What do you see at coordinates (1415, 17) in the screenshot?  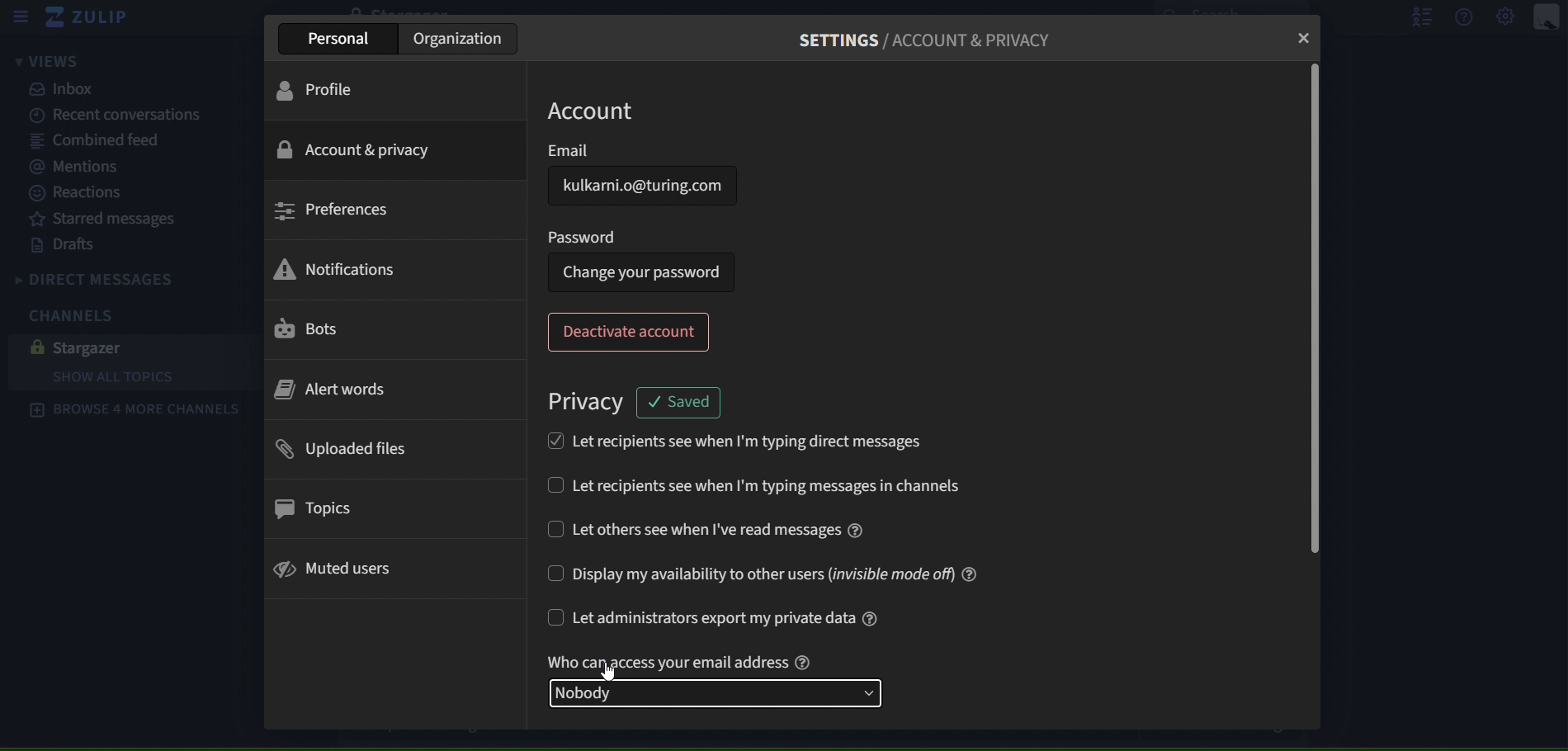 I see `hide user list` at bounding box center [1415, 17].